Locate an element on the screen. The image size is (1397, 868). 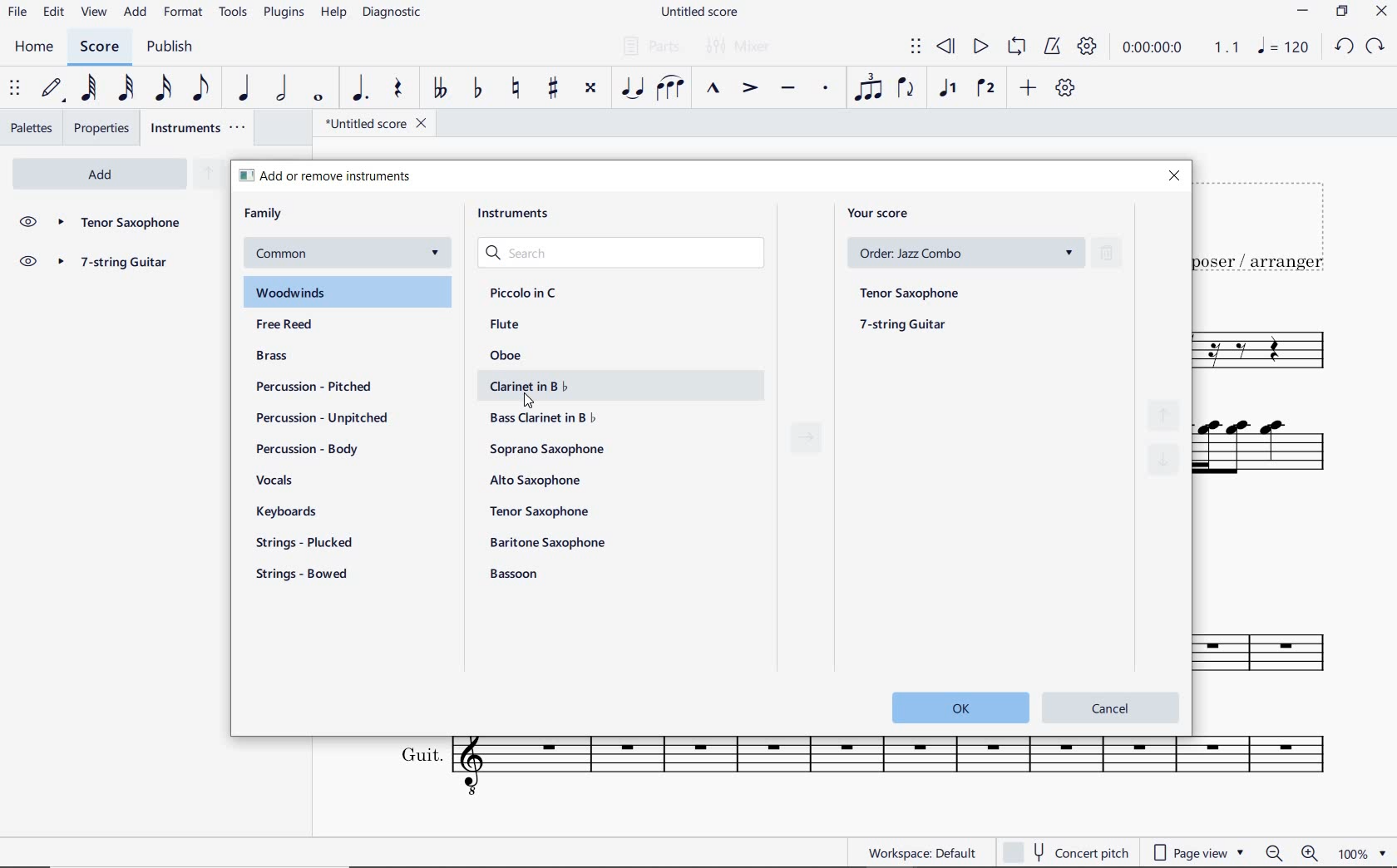
brass is located at coordinates (293, 358).